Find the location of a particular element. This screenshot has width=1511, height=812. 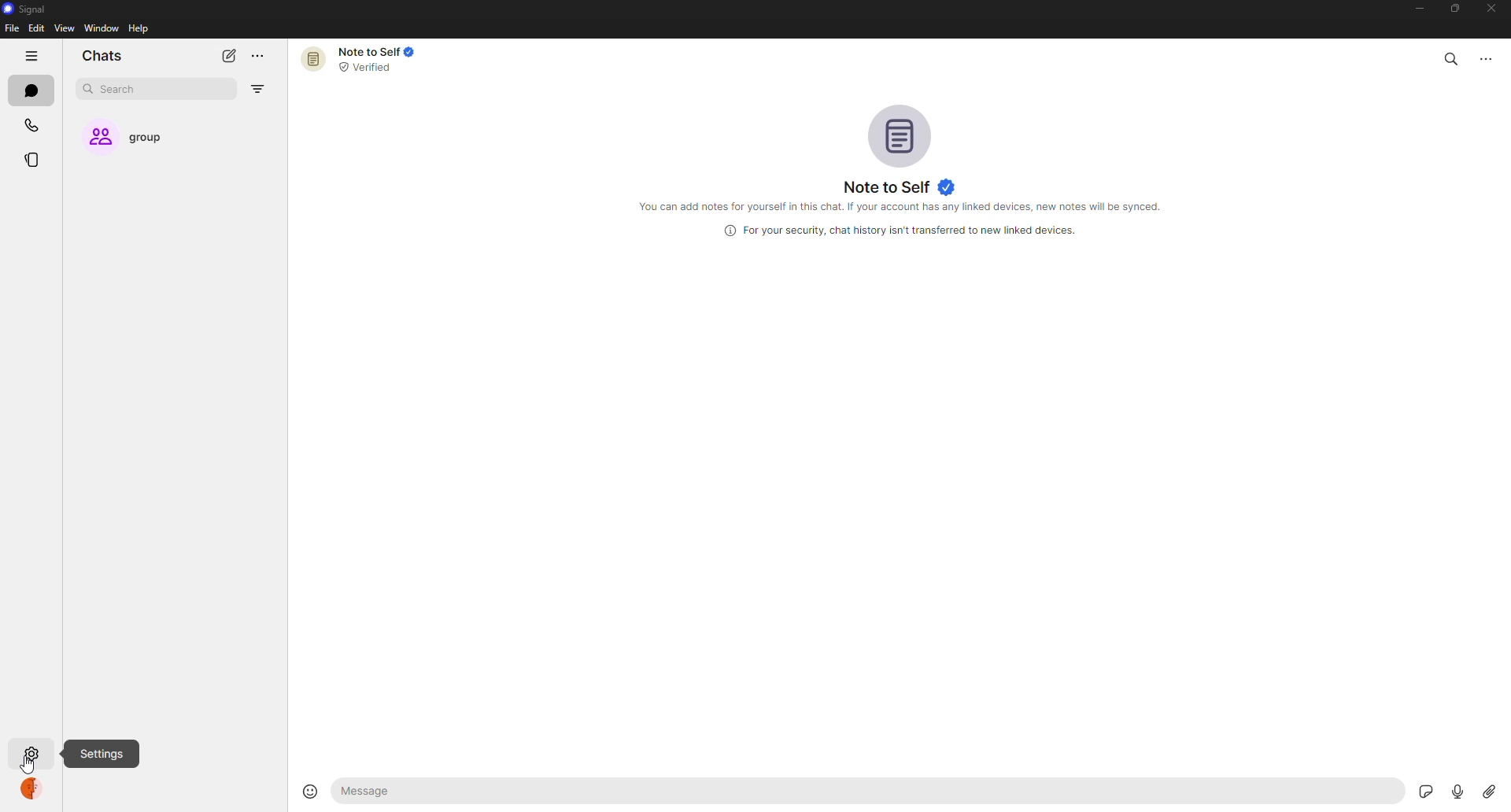

signal is located at coordinates (24, 10).